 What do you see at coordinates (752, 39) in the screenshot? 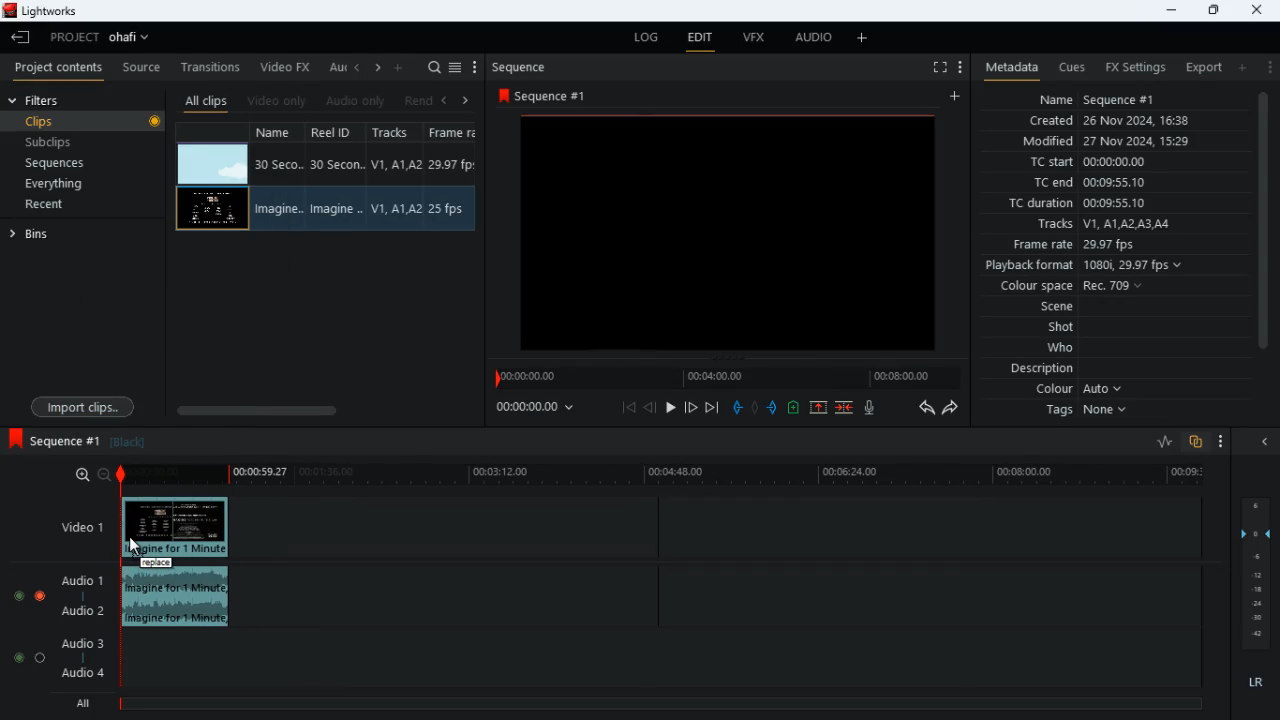
I see `vfx` at bounding box center [752, 39].